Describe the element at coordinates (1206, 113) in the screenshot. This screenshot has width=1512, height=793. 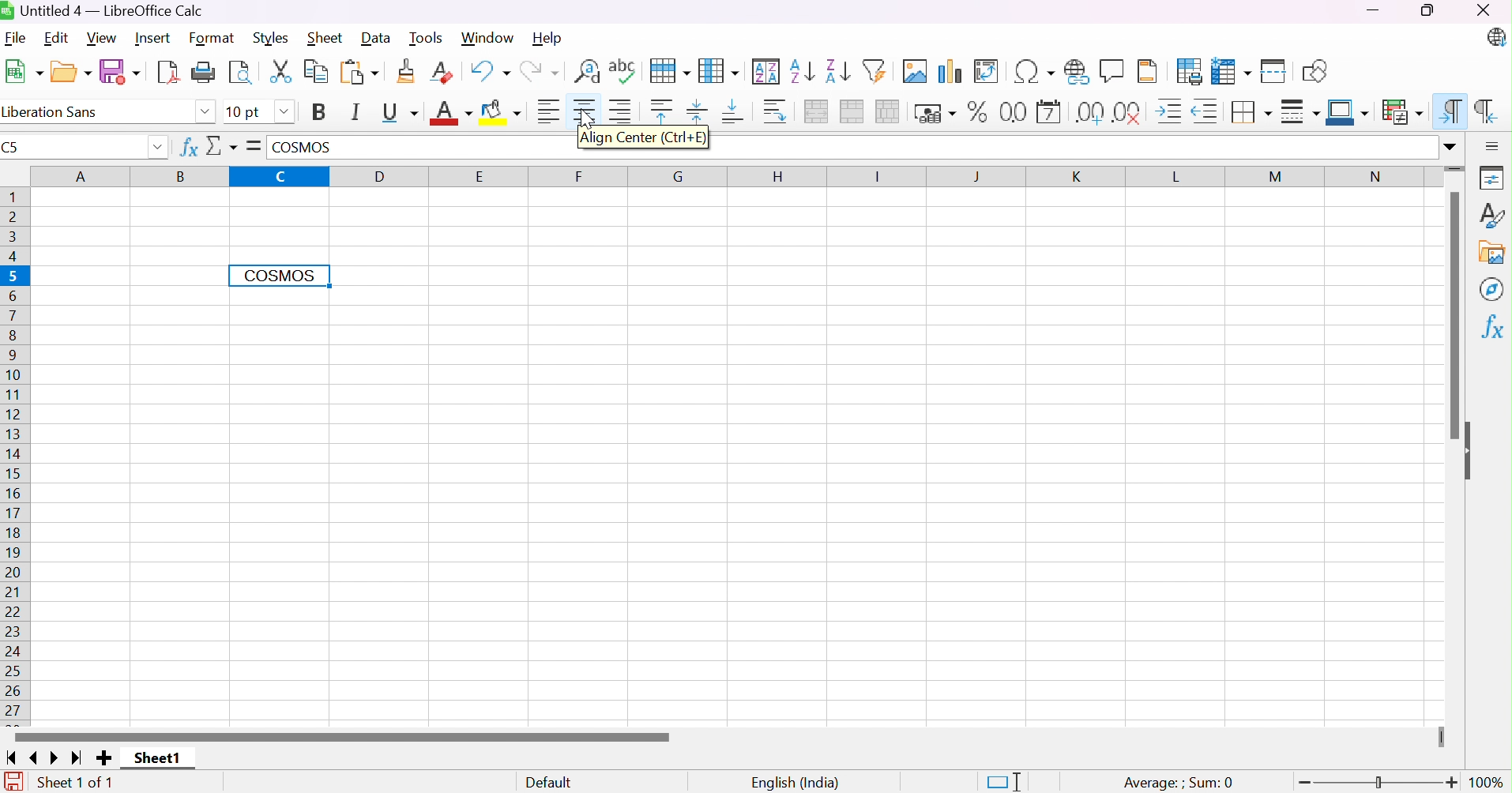
I see `Decrease Indent` at that location.